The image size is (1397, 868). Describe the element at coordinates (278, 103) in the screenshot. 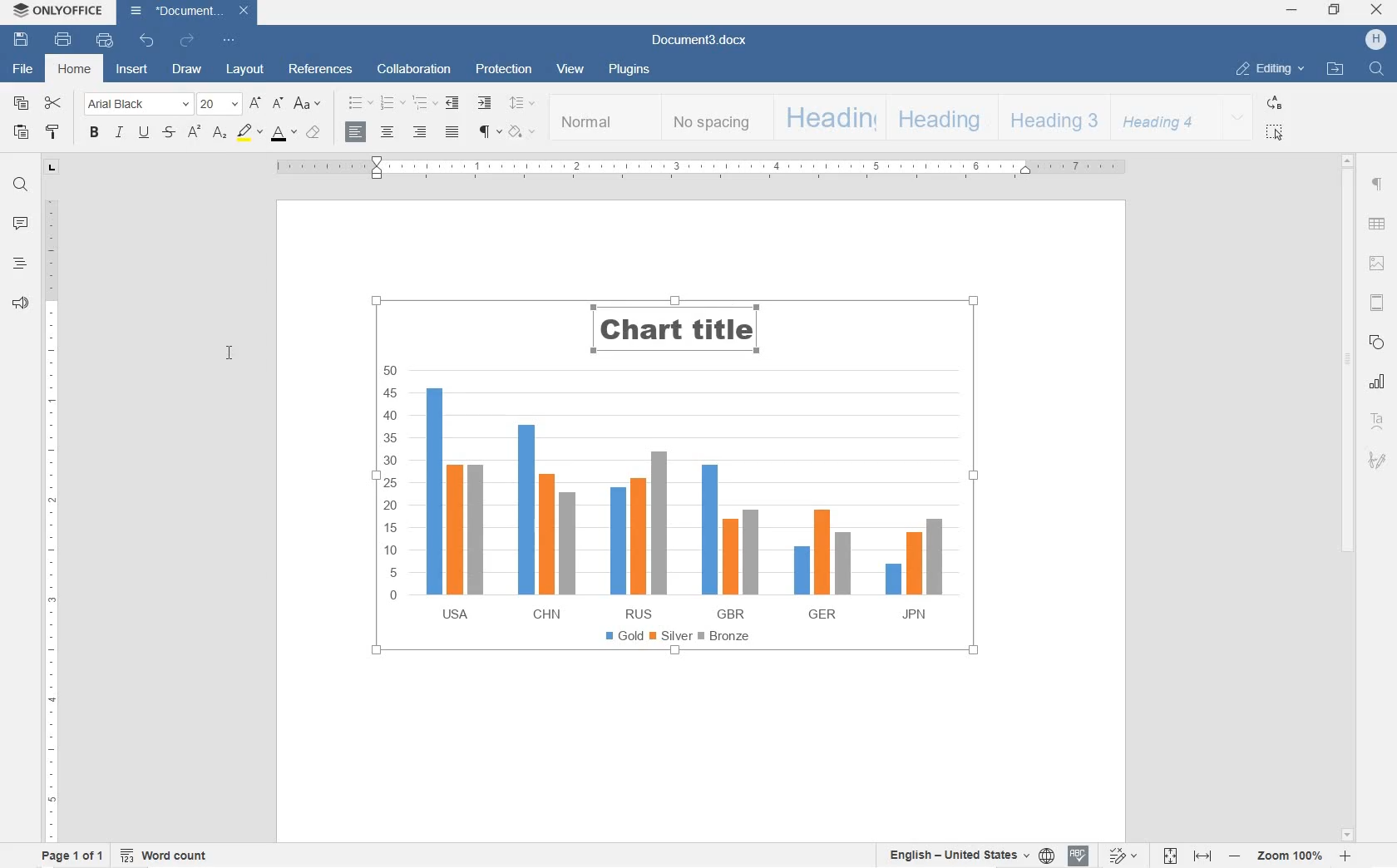

I see `DECREMENT FONT SIZE` at that location.